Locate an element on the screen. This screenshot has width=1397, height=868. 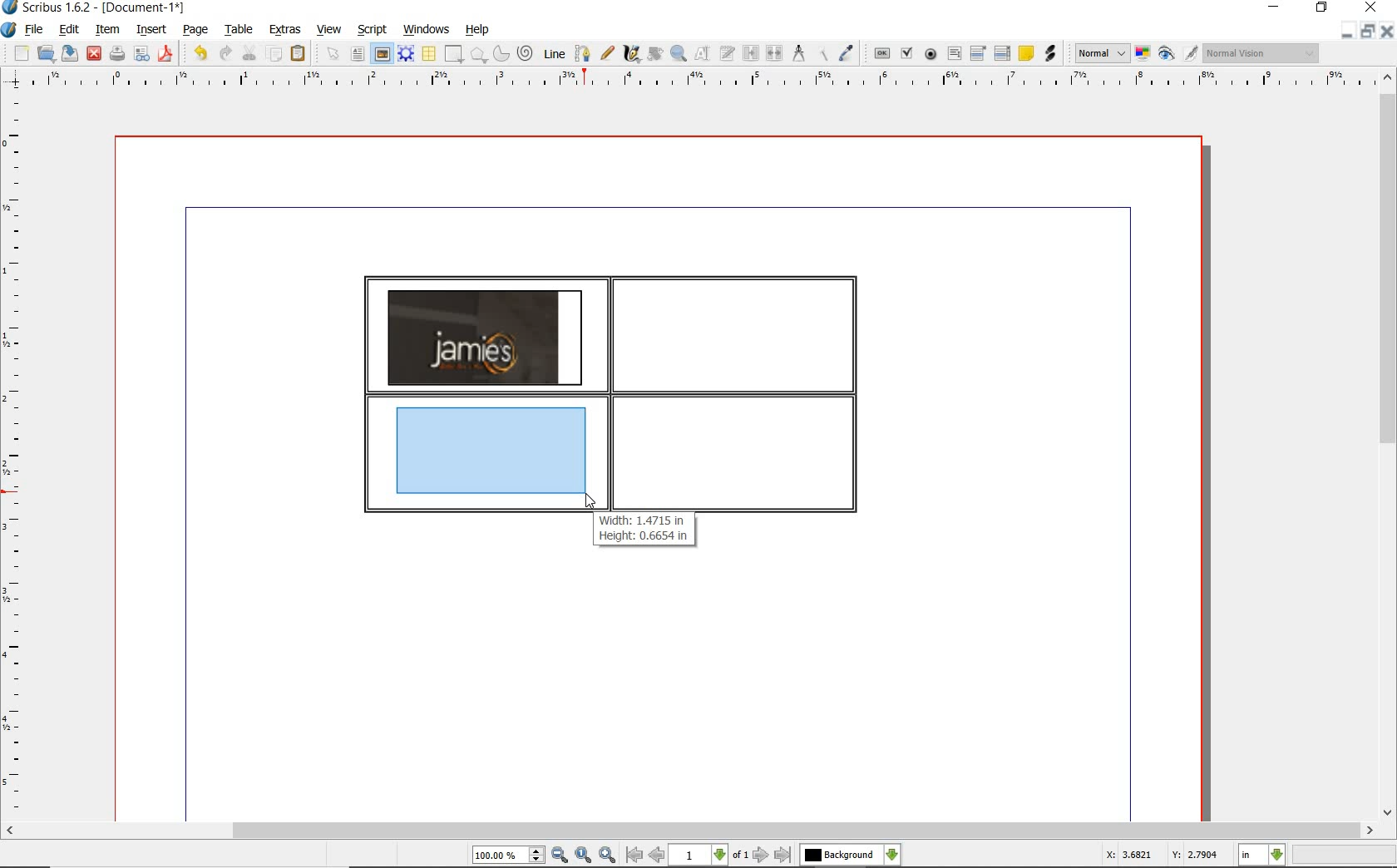
drawing image frame is located at coordinates (492, 451).